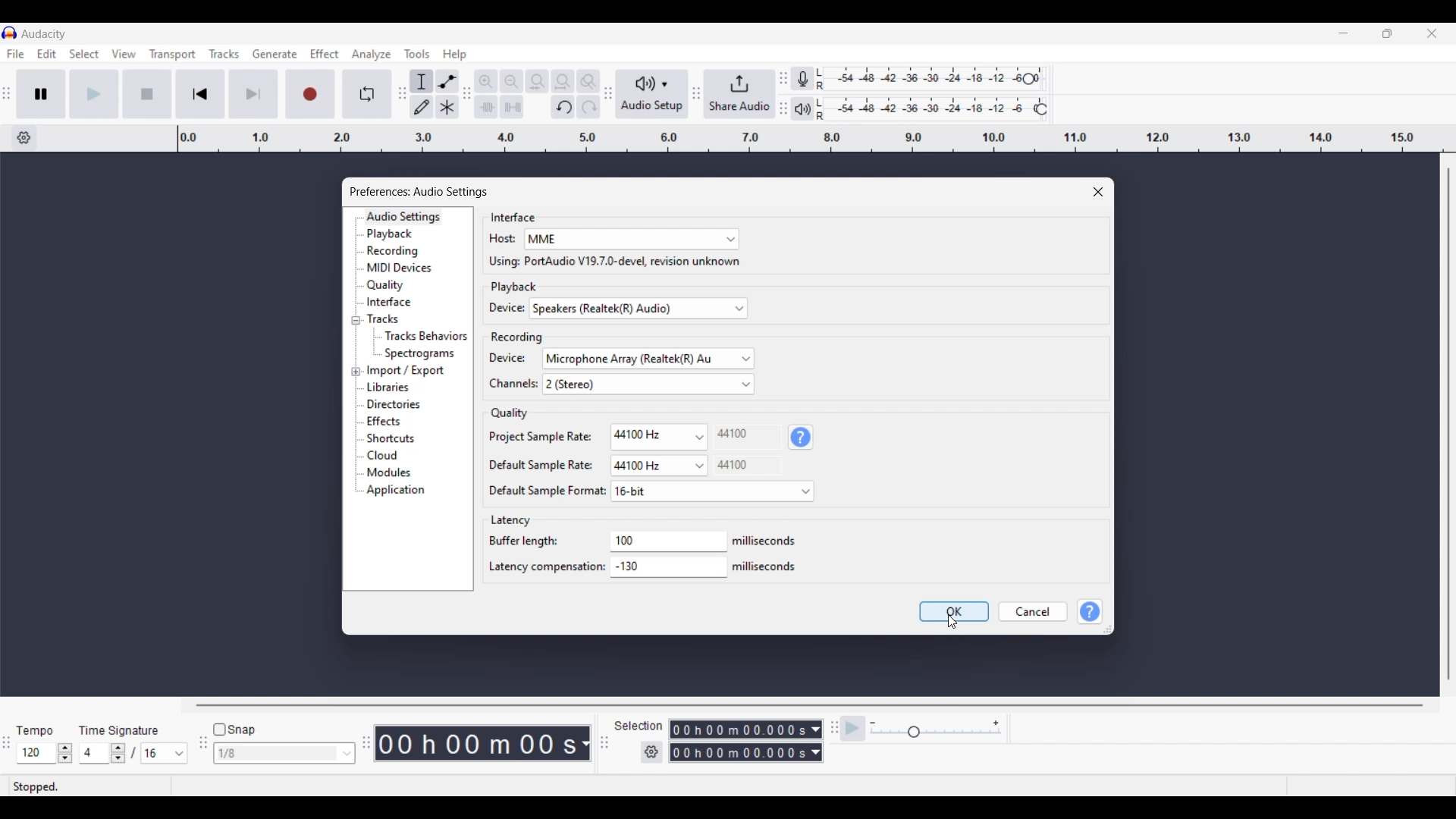  Describe the element at coordinates (422, 107) in the screenshot. I see `Draw tool` at that location.